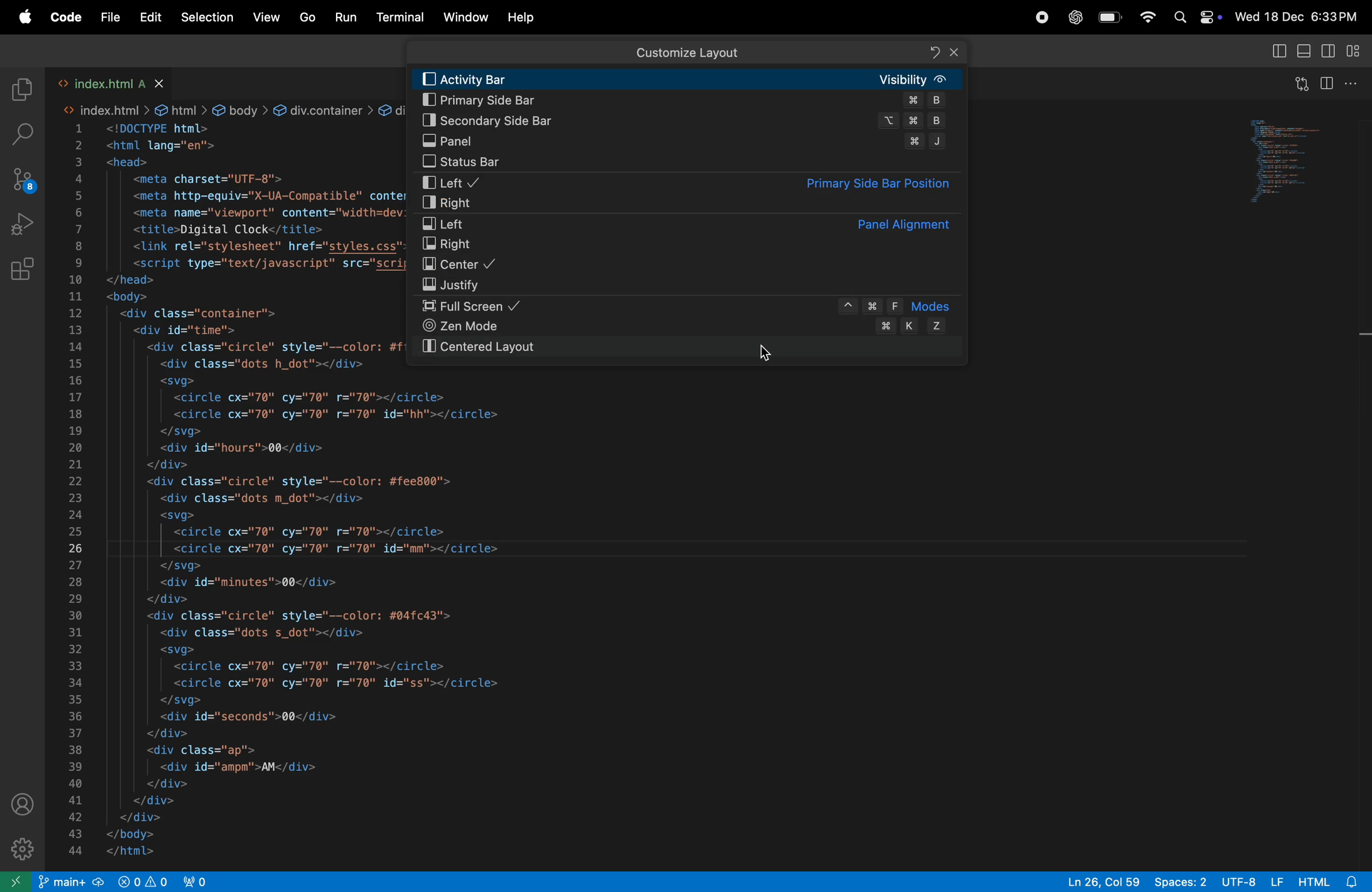  I want to click on view port 2, so click(199, 882).